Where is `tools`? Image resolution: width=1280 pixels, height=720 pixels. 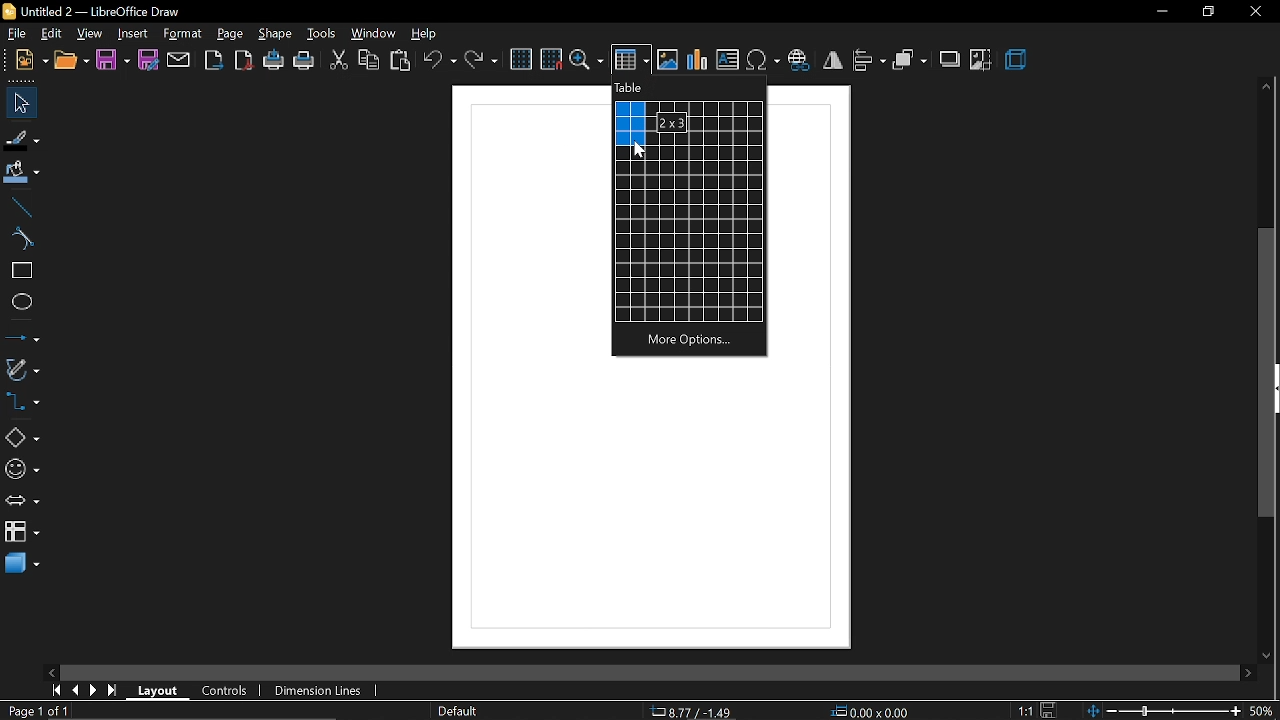
tools is located at coordinates (323, 34).